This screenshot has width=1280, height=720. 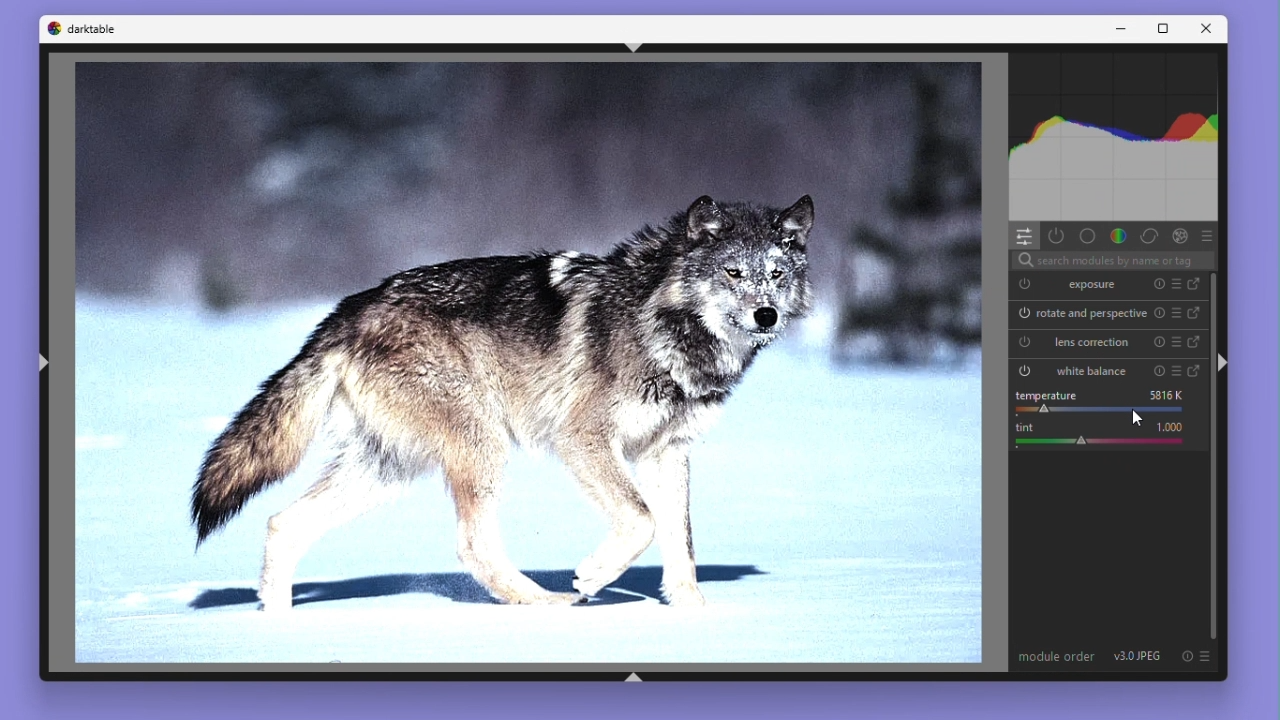 What do you see at coordinates (1197, 314) in the screenshot?
I see `Go to full version of rotate and perspective` at bounding box center [1197, 314].